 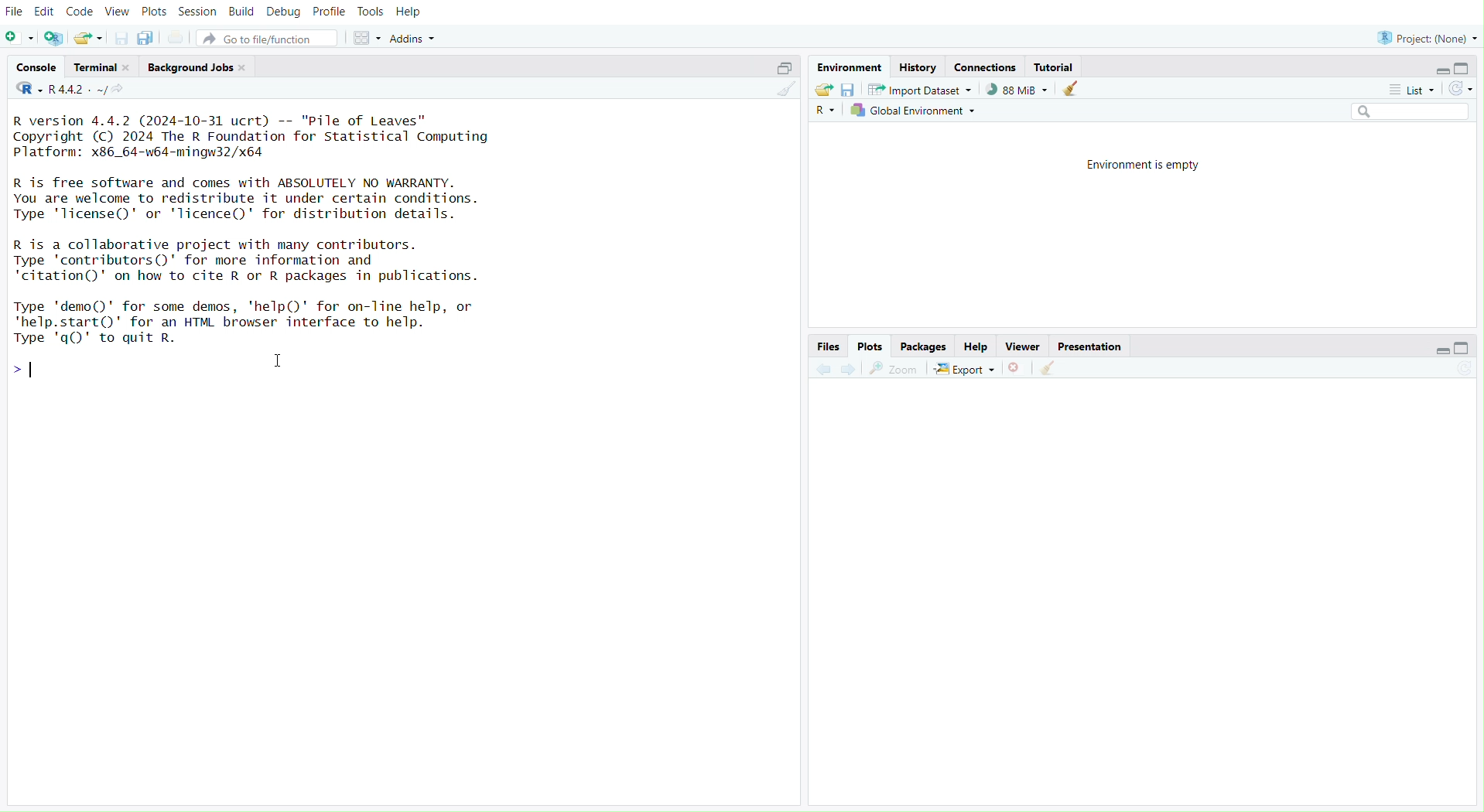 What do you see at coordinates (283, 363) in the screenshot?
I see `Cursor` at bounding box center [283, 363].